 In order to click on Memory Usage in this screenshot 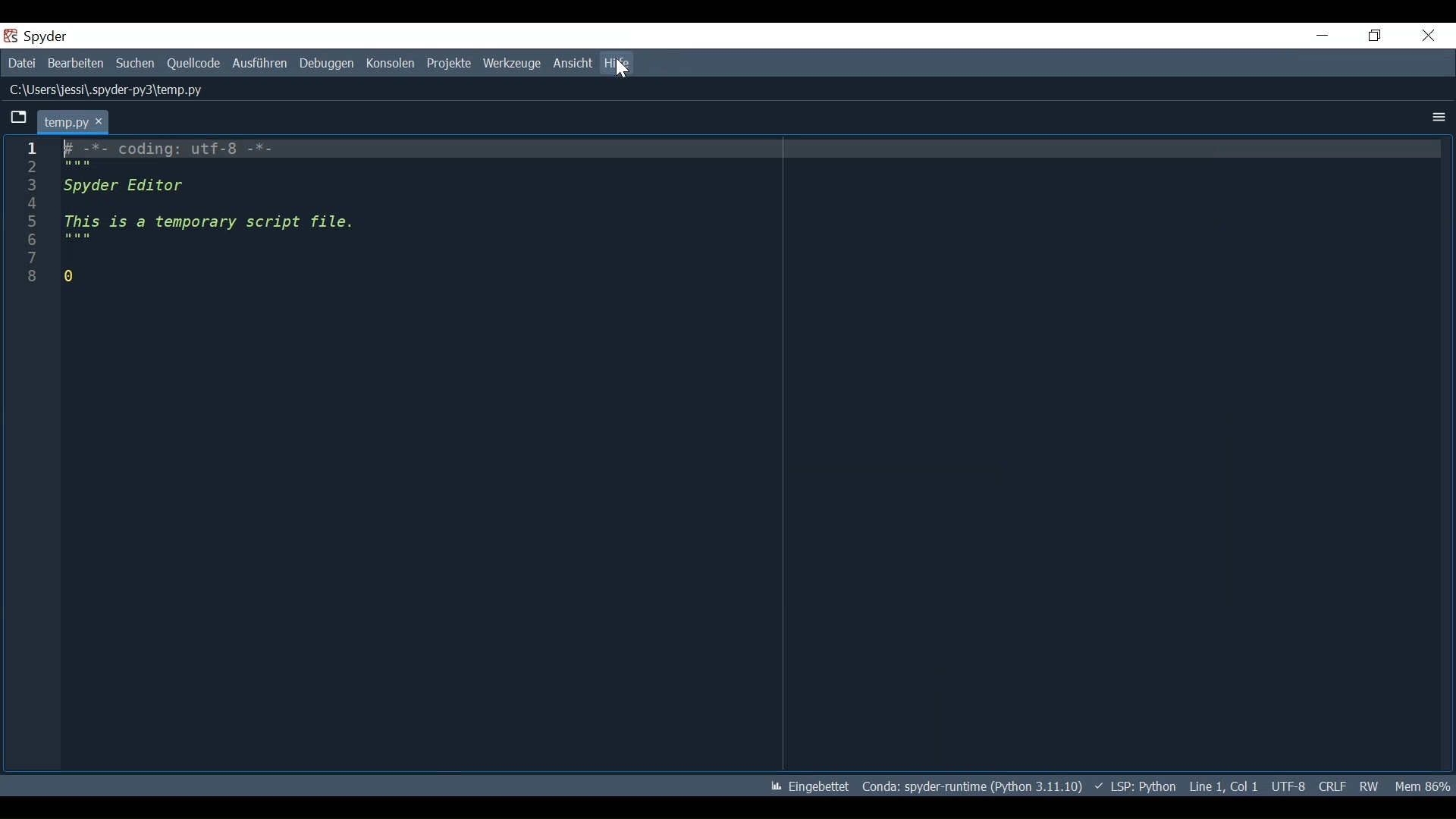, I will do `click(1421, 786)`.